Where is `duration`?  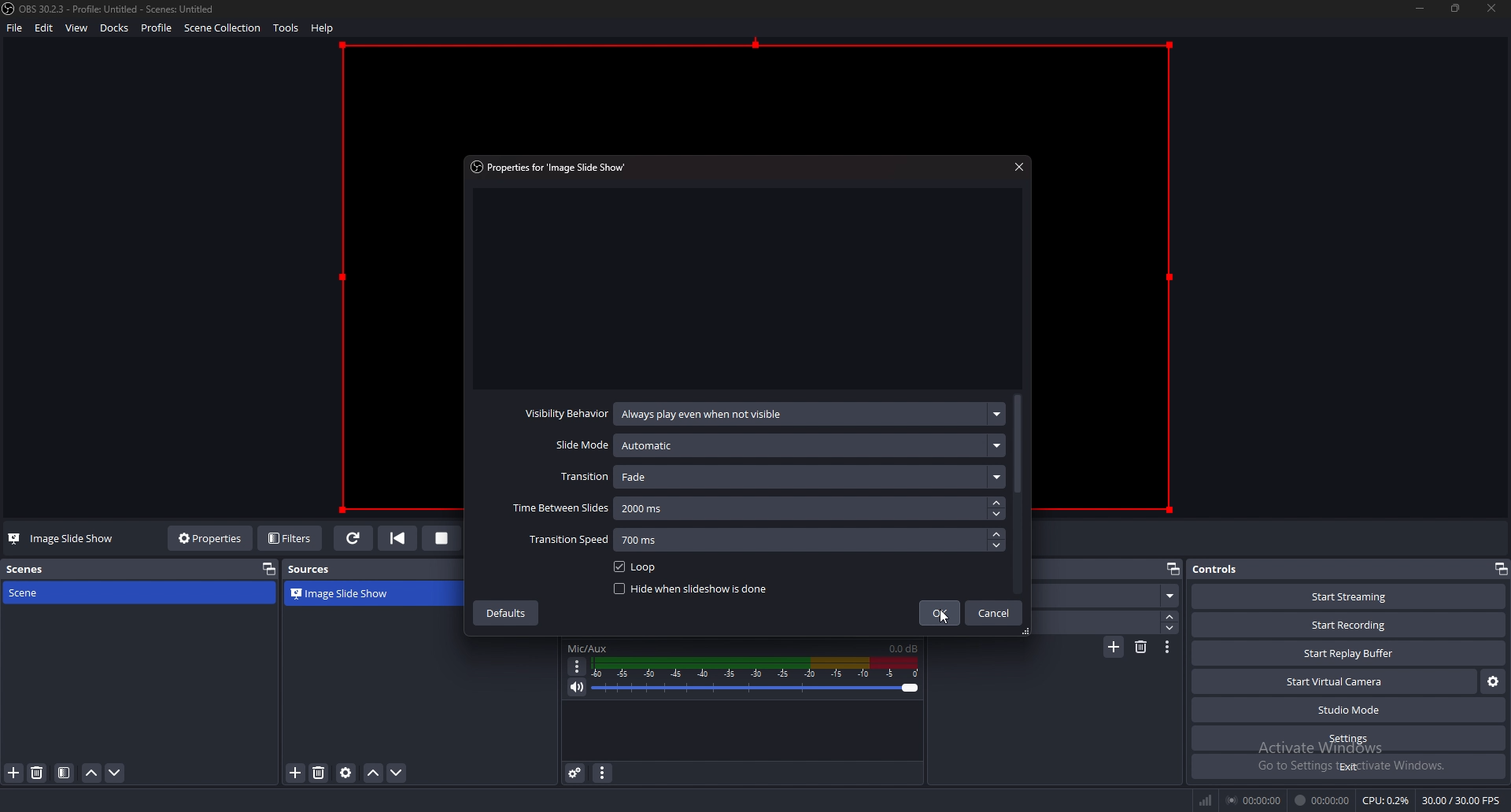
duration is located at coordinates (1099, 623).